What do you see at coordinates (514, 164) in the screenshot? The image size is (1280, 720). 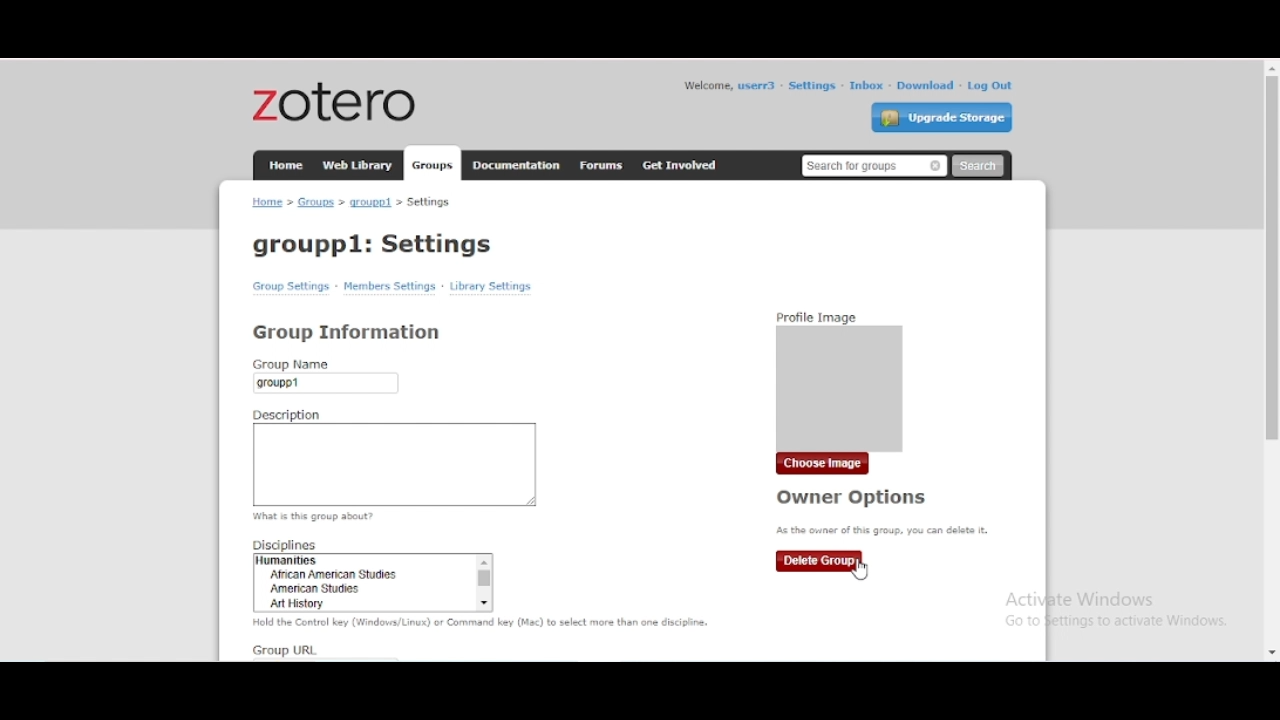 I see `documentation` at bounding box center [514, 164].